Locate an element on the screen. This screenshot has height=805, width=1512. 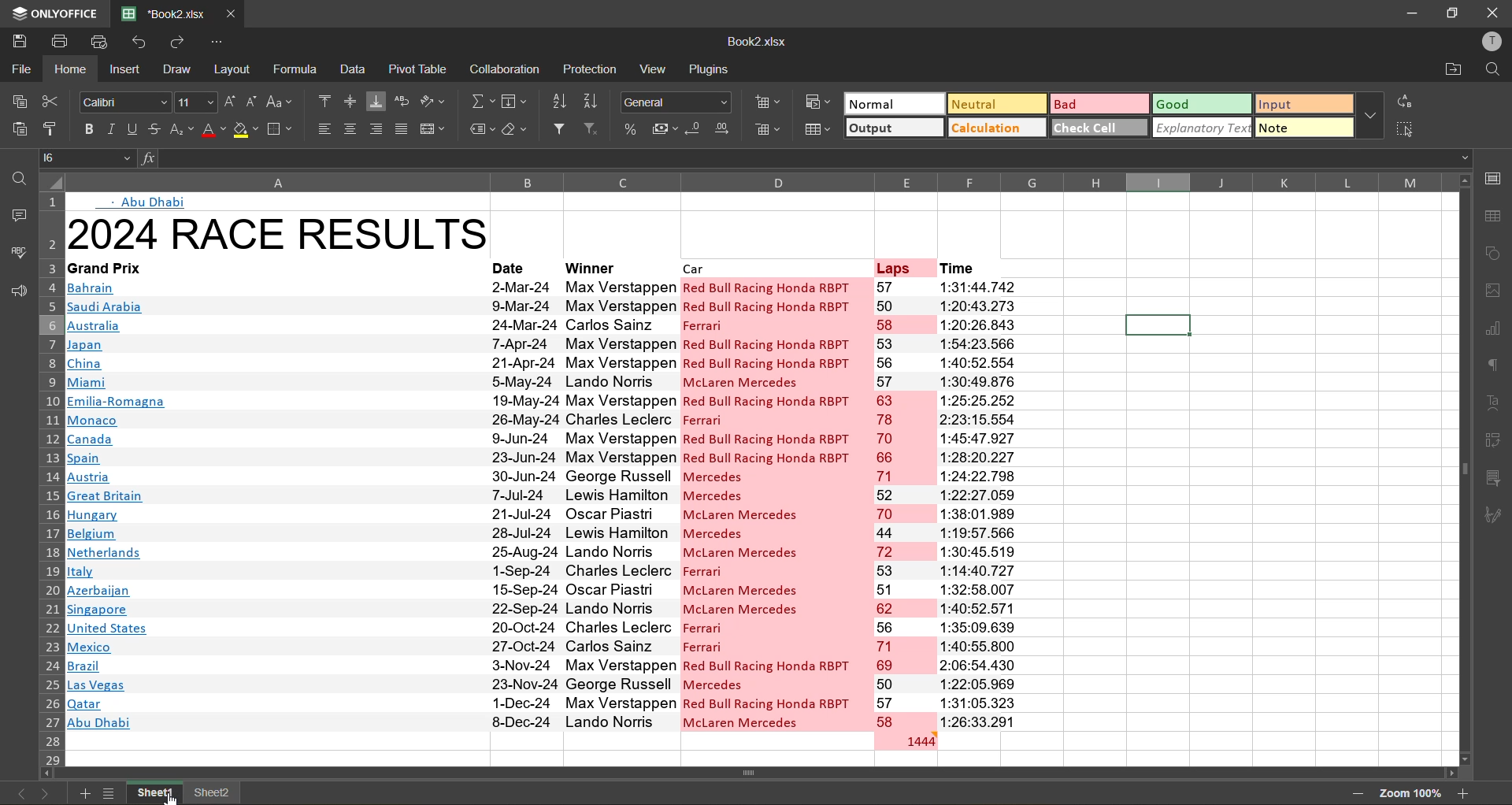
car name is located at coordinates (775, 503).